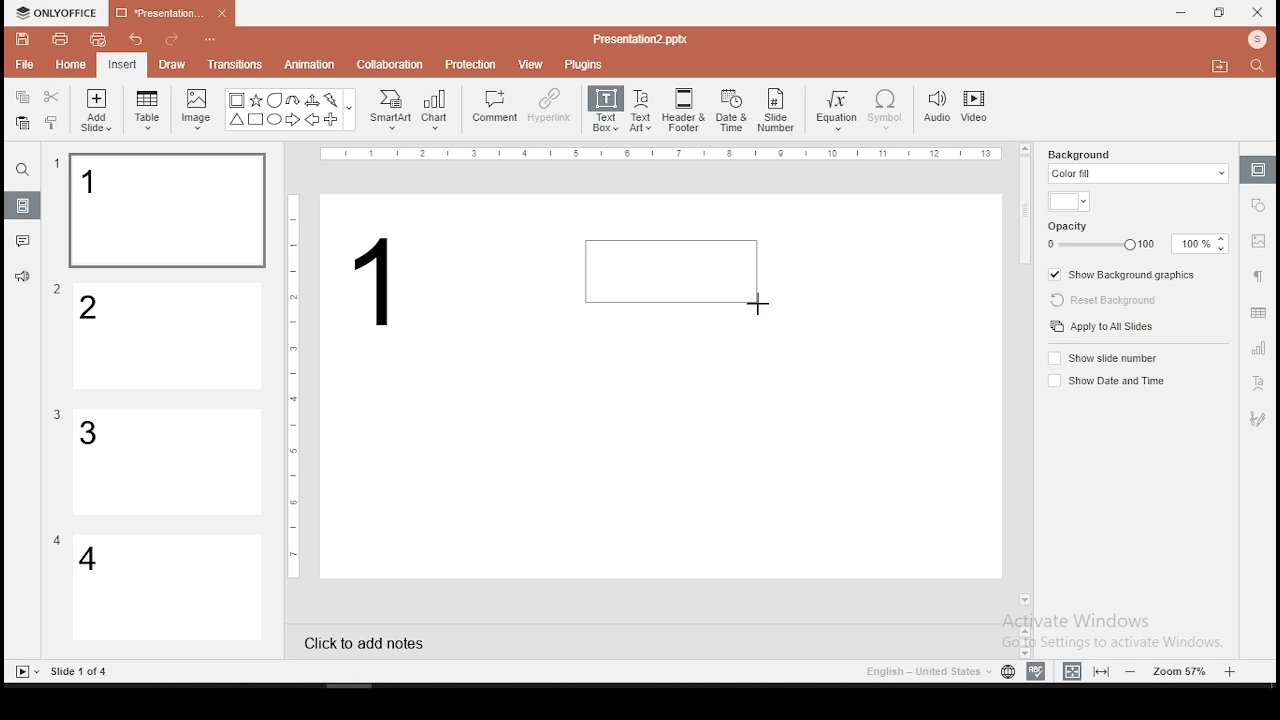 Image resolution: width=1280 pixels, height=720 pixels. I want to click on Arrow Left, so click(312, 120).